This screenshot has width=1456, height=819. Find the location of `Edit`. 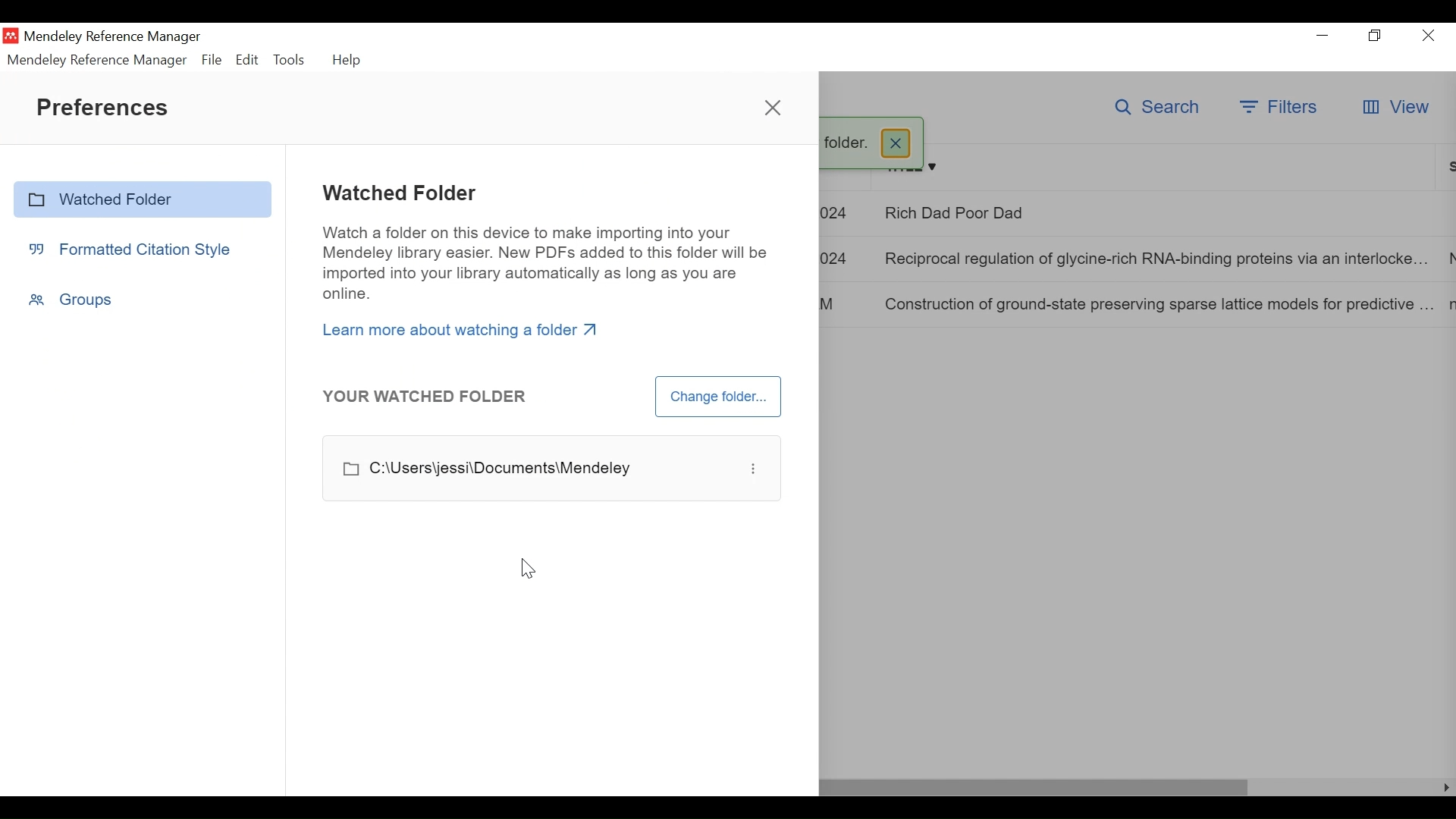

Edit is located at coordinates (247, 61).